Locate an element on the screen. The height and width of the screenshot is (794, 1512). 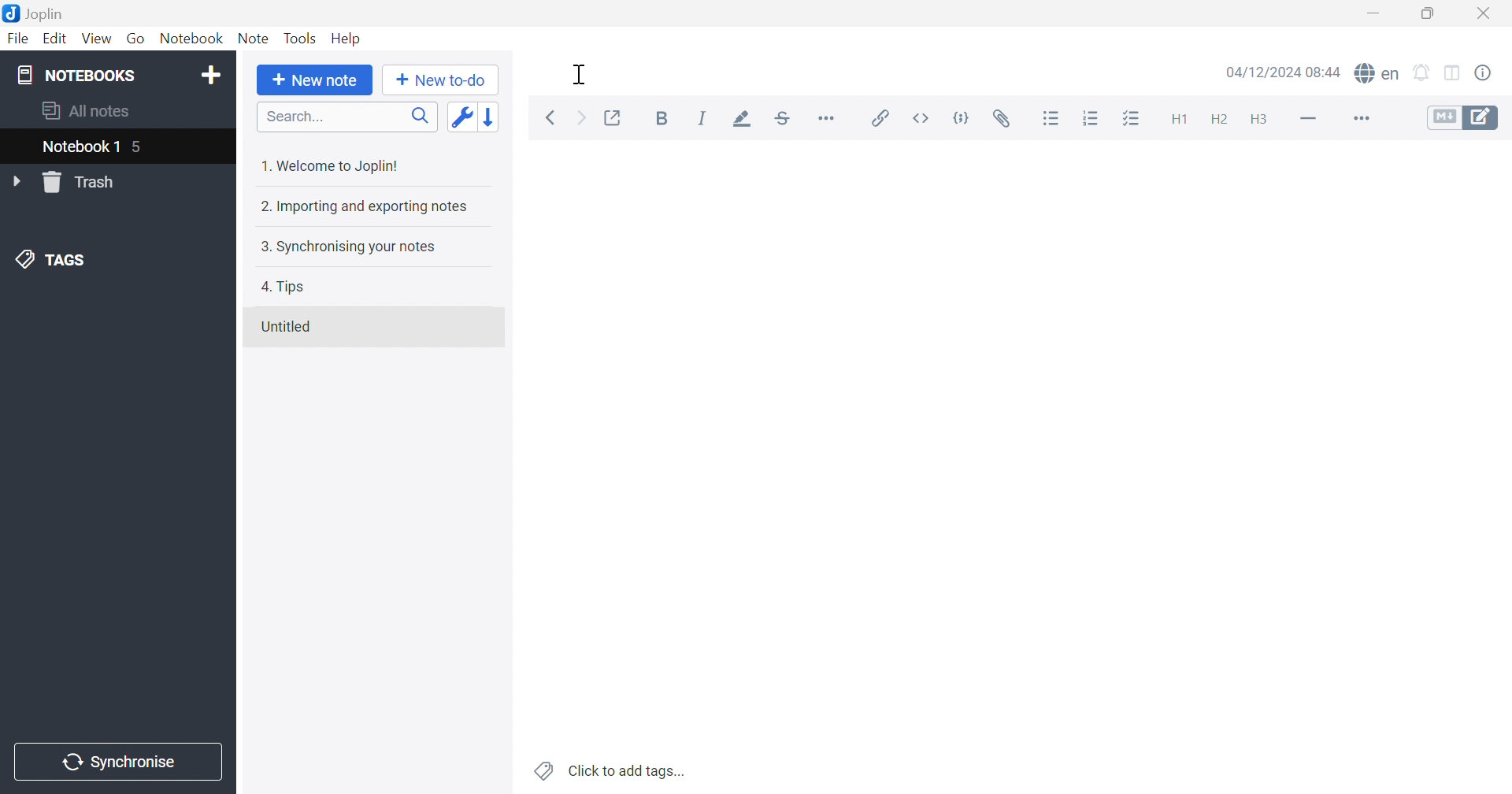
Checkbox list is located at coordinates (1132, 120).